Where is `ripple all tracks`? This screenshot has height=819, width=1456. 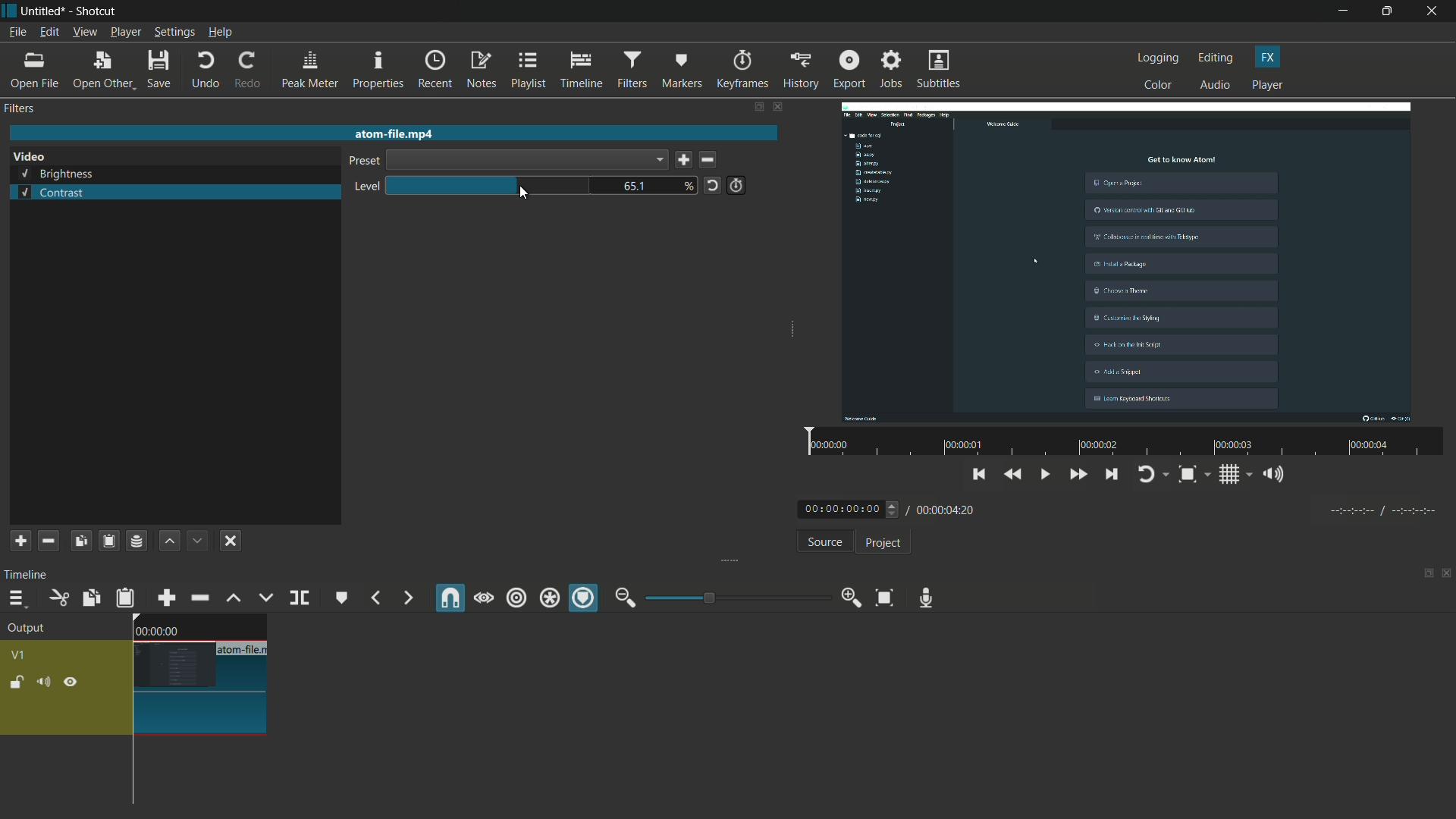 ripple all tracks is located at coordinates (548, 600).